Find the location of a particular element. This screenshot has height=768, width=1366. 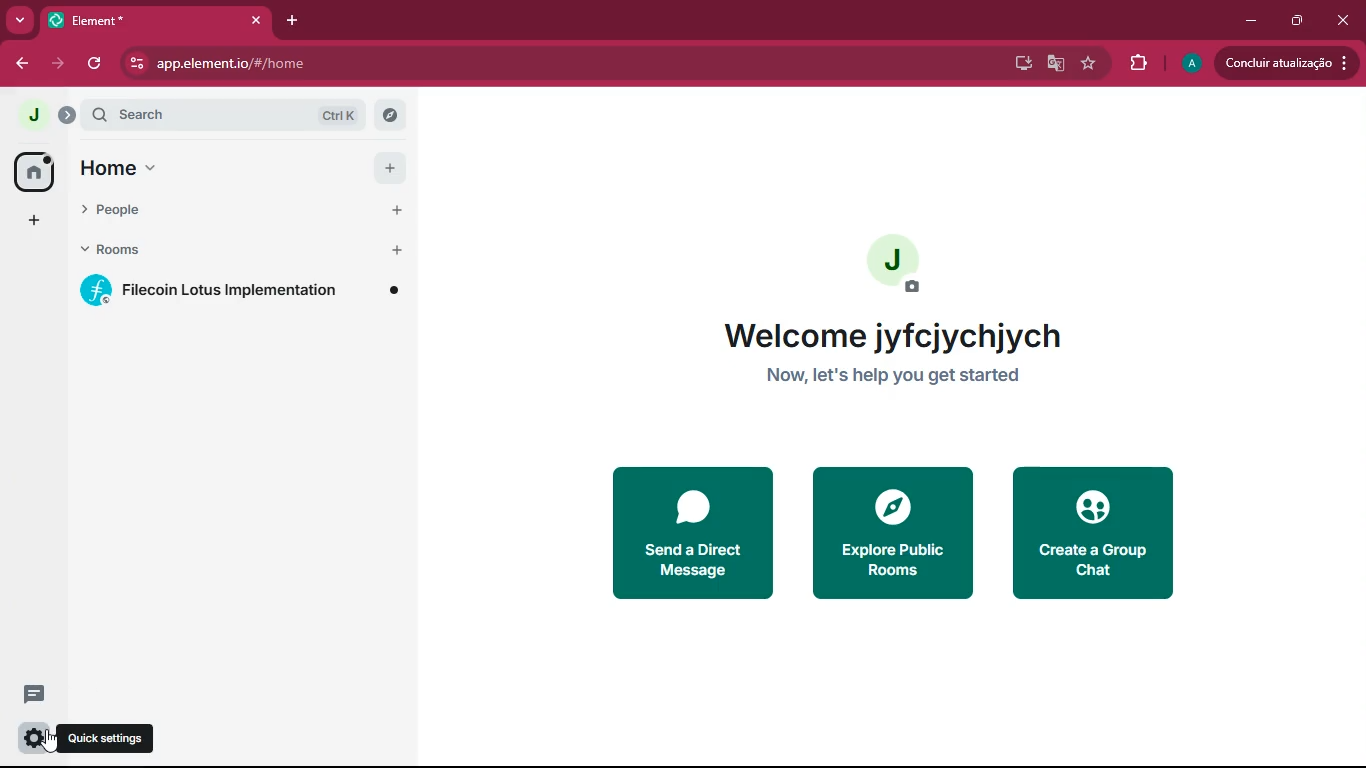

add tab is located at coordinates (288, 24).